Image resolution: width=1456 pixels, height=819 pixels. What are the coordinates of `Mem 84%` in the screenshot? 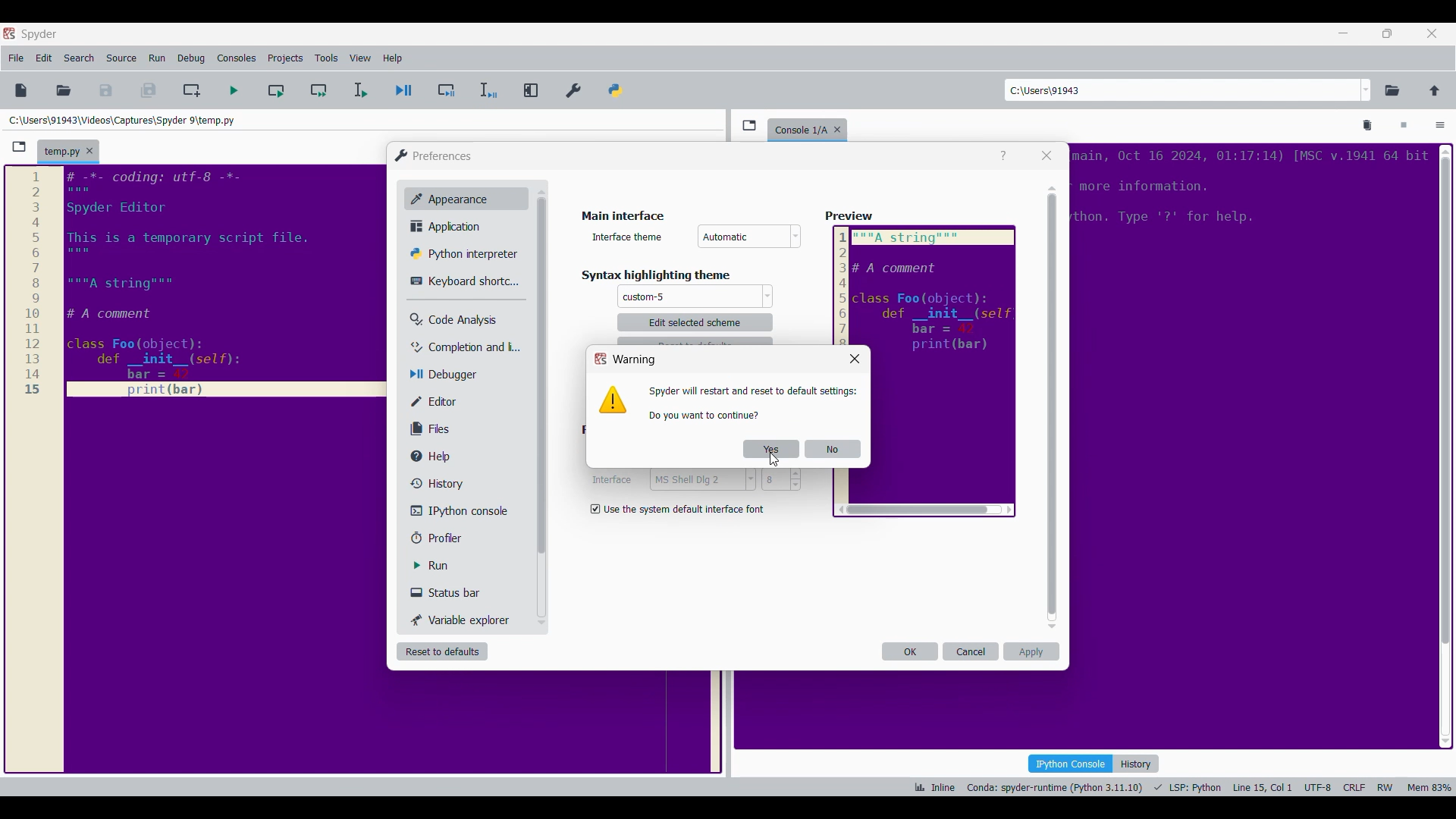 It's located at (1426, 787).